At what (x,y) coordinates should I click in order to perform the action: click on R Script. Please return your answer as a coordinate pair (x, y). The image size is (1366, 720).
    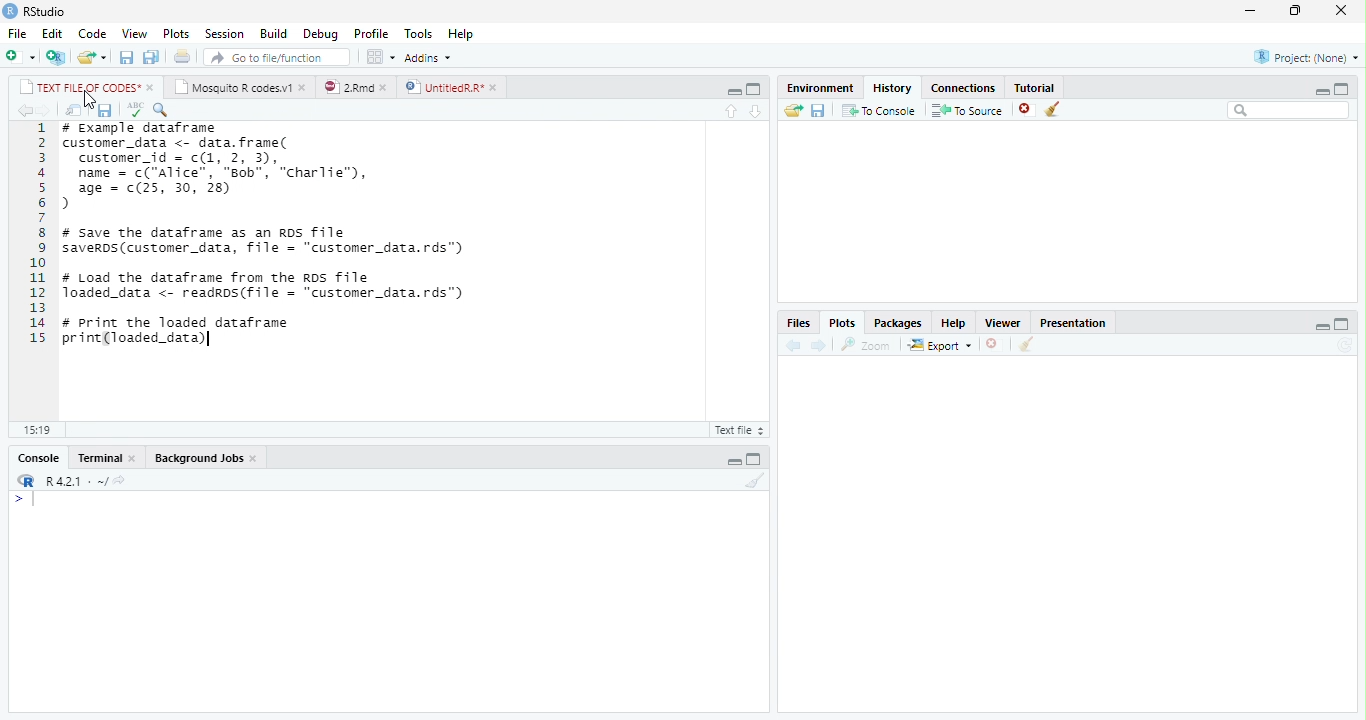
    Looking at the image, I should click on (740, 429).